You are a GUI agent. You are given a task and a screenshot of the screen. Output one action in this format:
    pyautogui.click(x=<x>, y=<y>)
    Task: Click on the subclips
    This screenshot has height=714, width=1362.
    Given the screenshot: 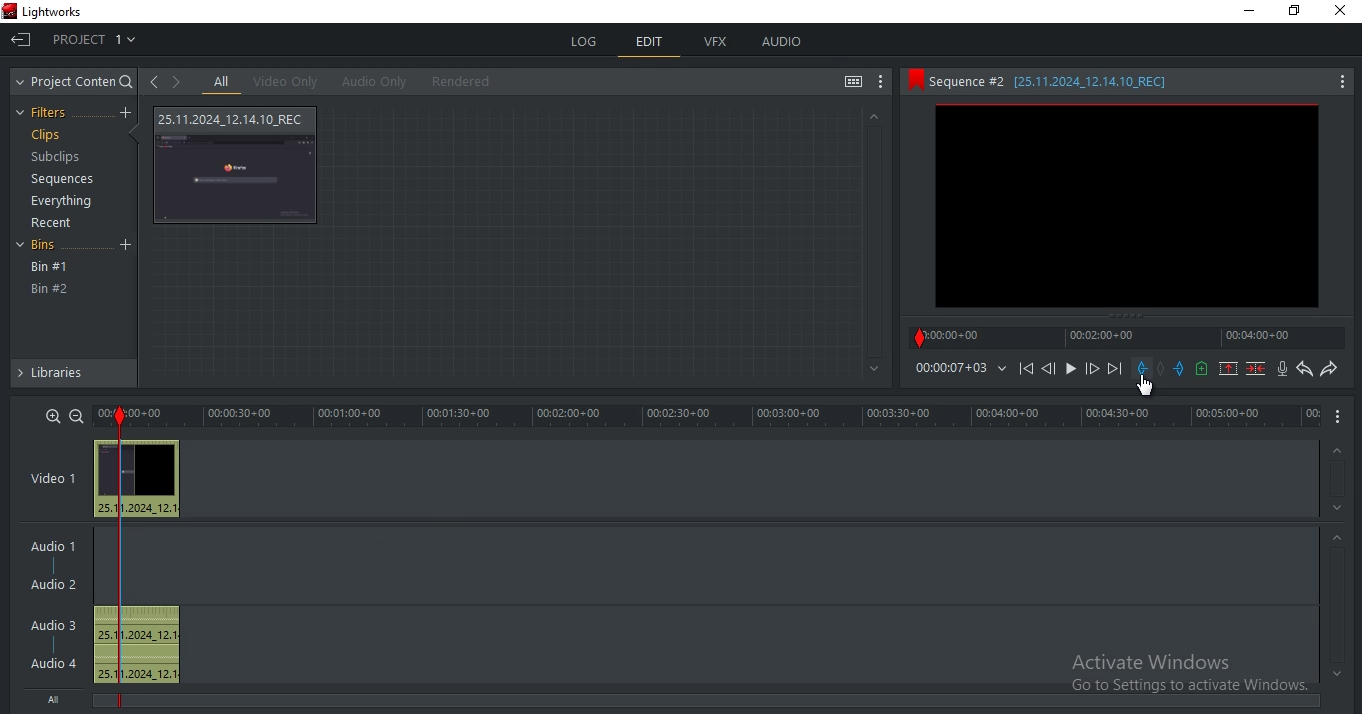 What is the action you would take?
    pyautogui.click(x=58, y=159)
    